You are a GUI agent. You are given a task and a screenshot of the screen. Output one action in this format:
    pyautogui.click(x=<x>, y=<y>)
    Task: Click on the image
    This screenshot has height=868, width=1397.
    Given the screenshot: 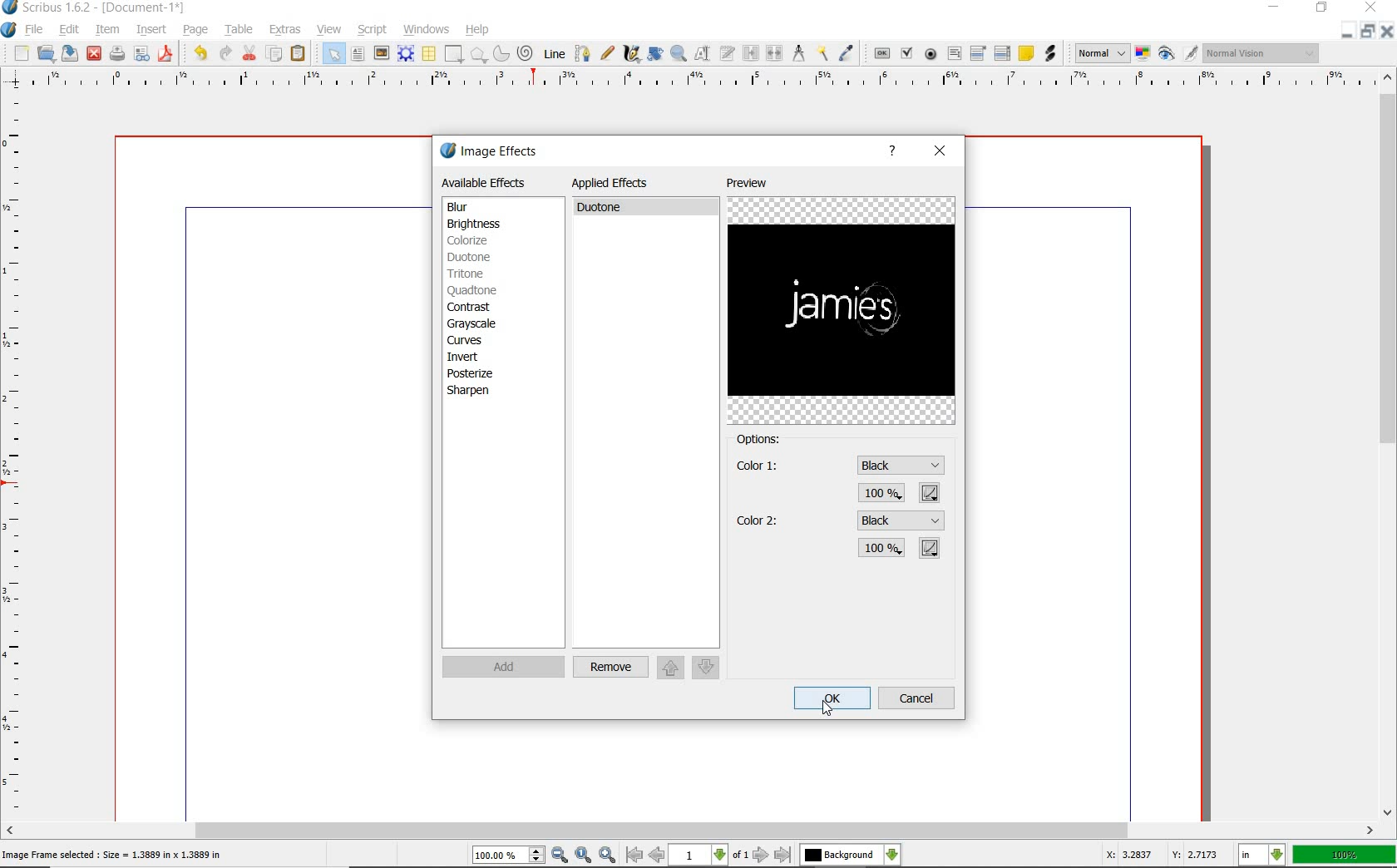 What is the action you would take?
    pyautogui.click(x=842, y=311)
    